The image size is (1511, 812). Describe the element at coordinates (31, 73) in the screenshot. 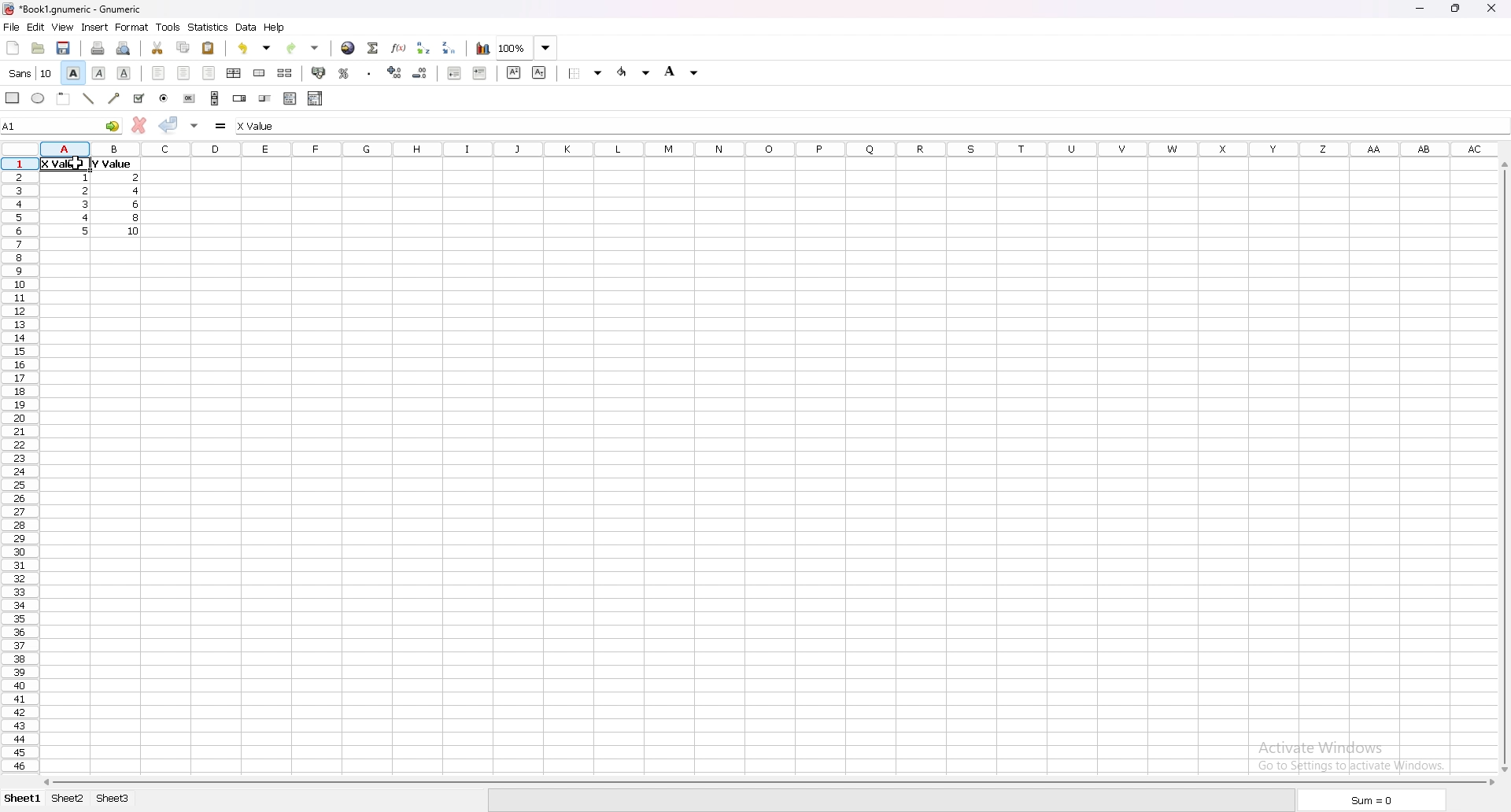

I see `font` at that location.